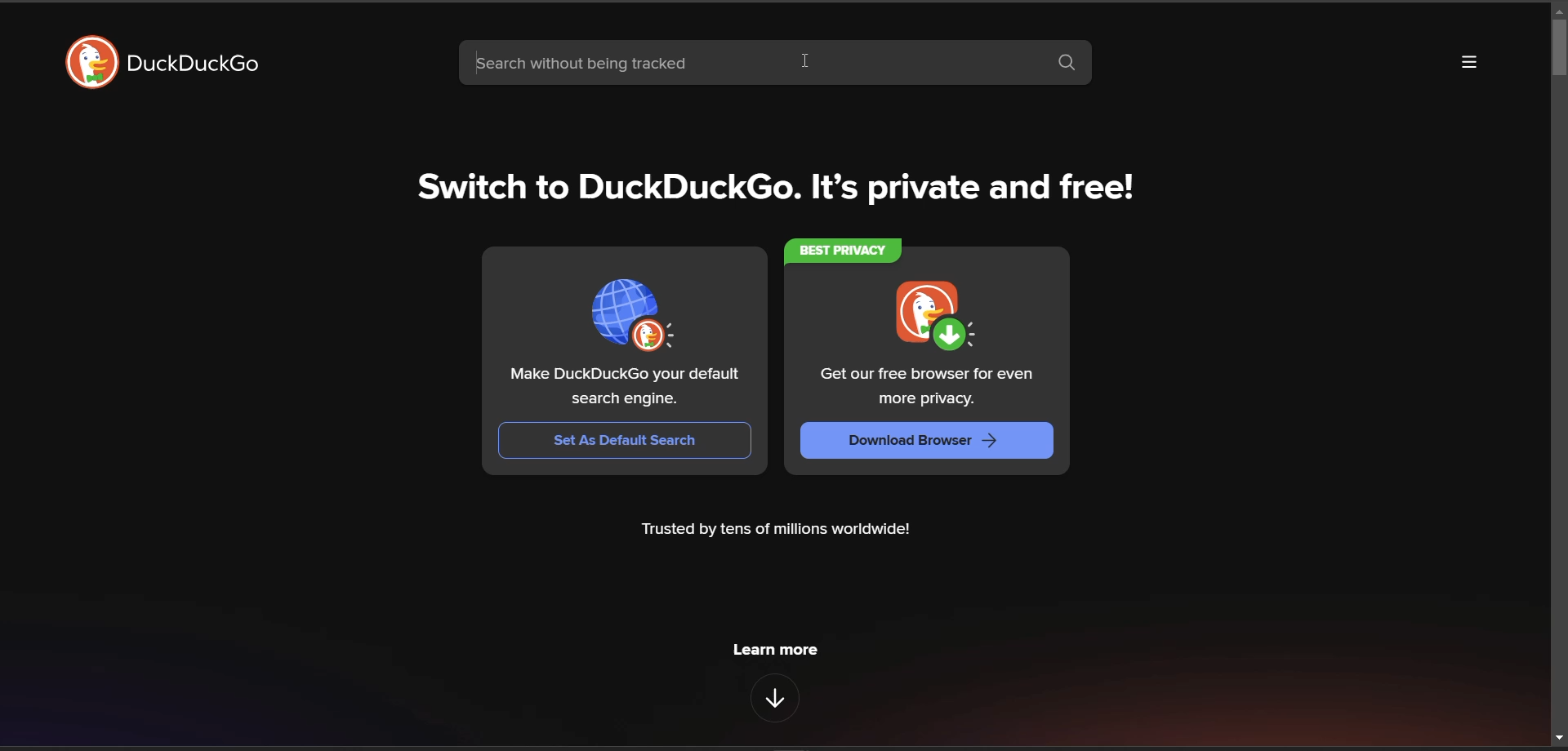  I want to click on cursor, so click(807, 62).